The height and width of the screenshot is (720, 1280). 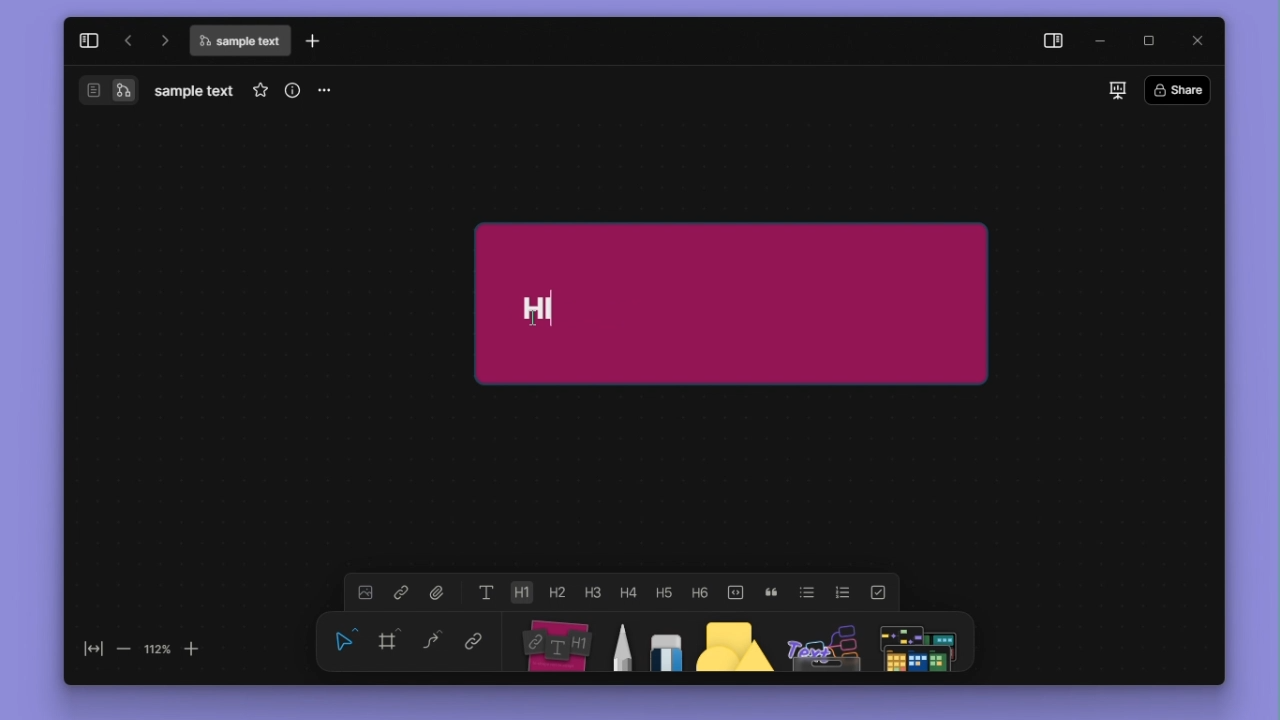 I want to click on other, so click(x=824, y=642).